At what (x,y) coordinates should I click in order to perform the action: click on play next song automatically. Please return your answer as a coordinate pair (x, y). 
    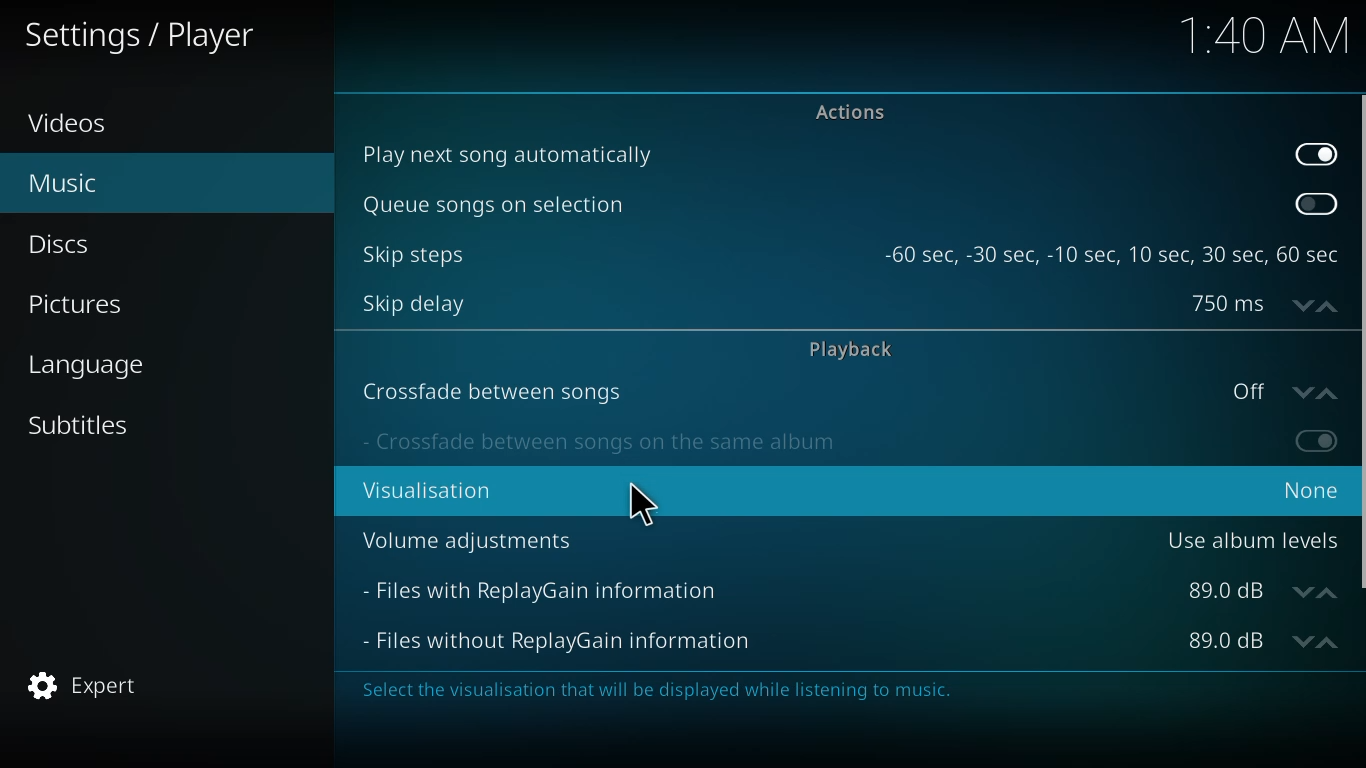
    Looking at the image, I should click on (516, 153).